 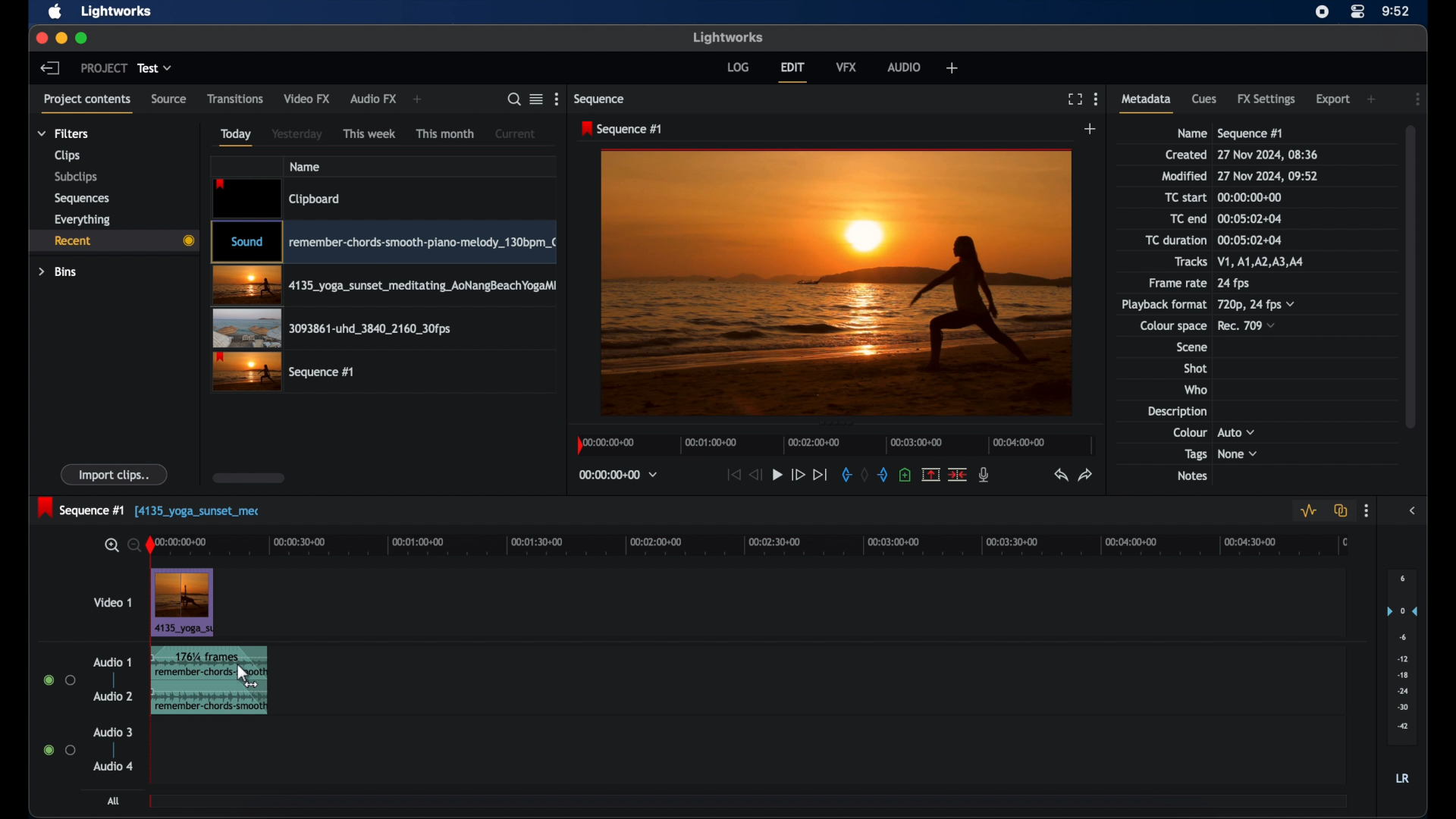 I want to click on audio, so click(x=905, y=67).